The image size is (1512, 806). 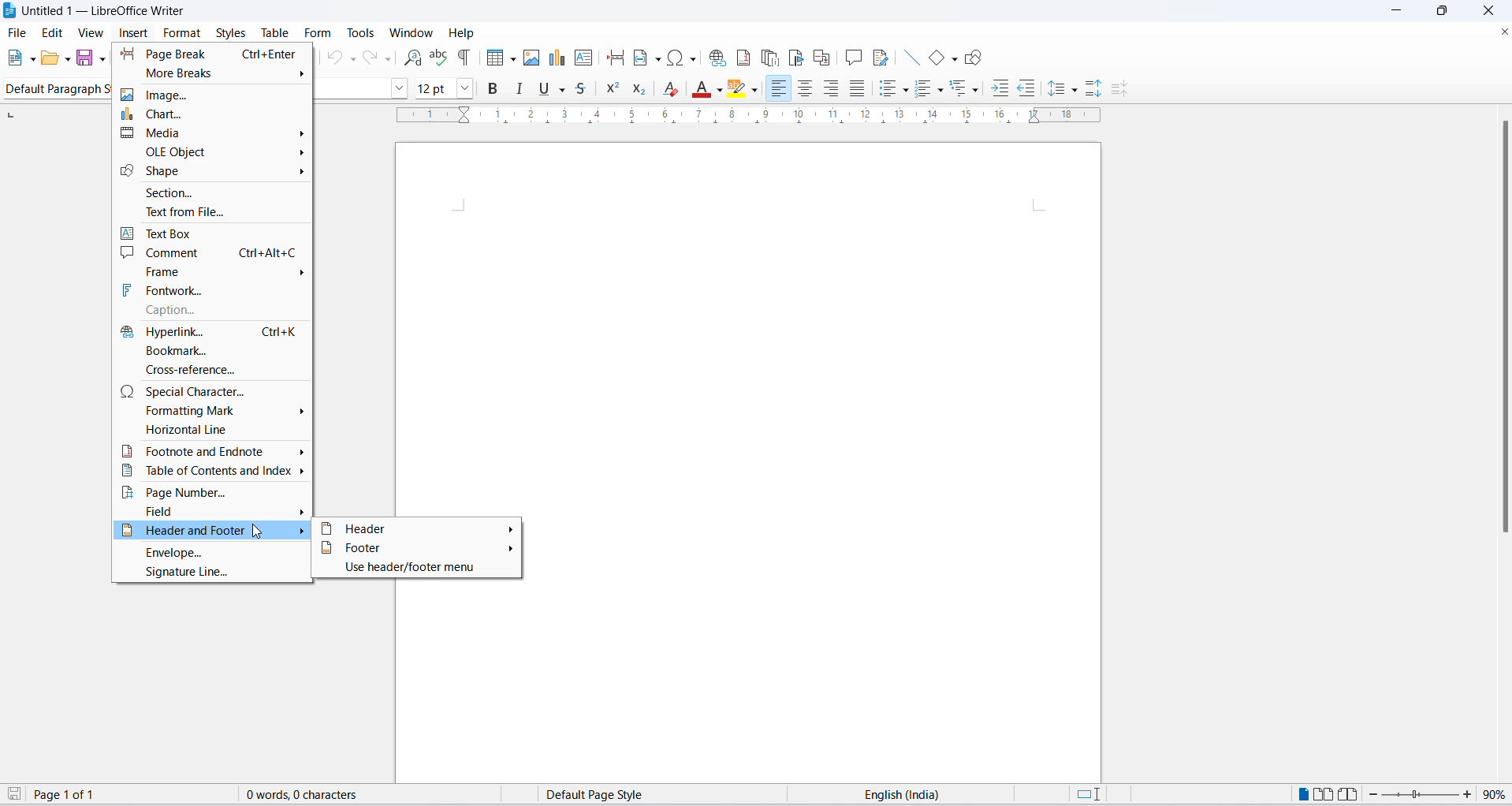 What do you see at coordinates (612, 58) in the screenshot?
I see `insert page break` at bounding box center [612, 58].